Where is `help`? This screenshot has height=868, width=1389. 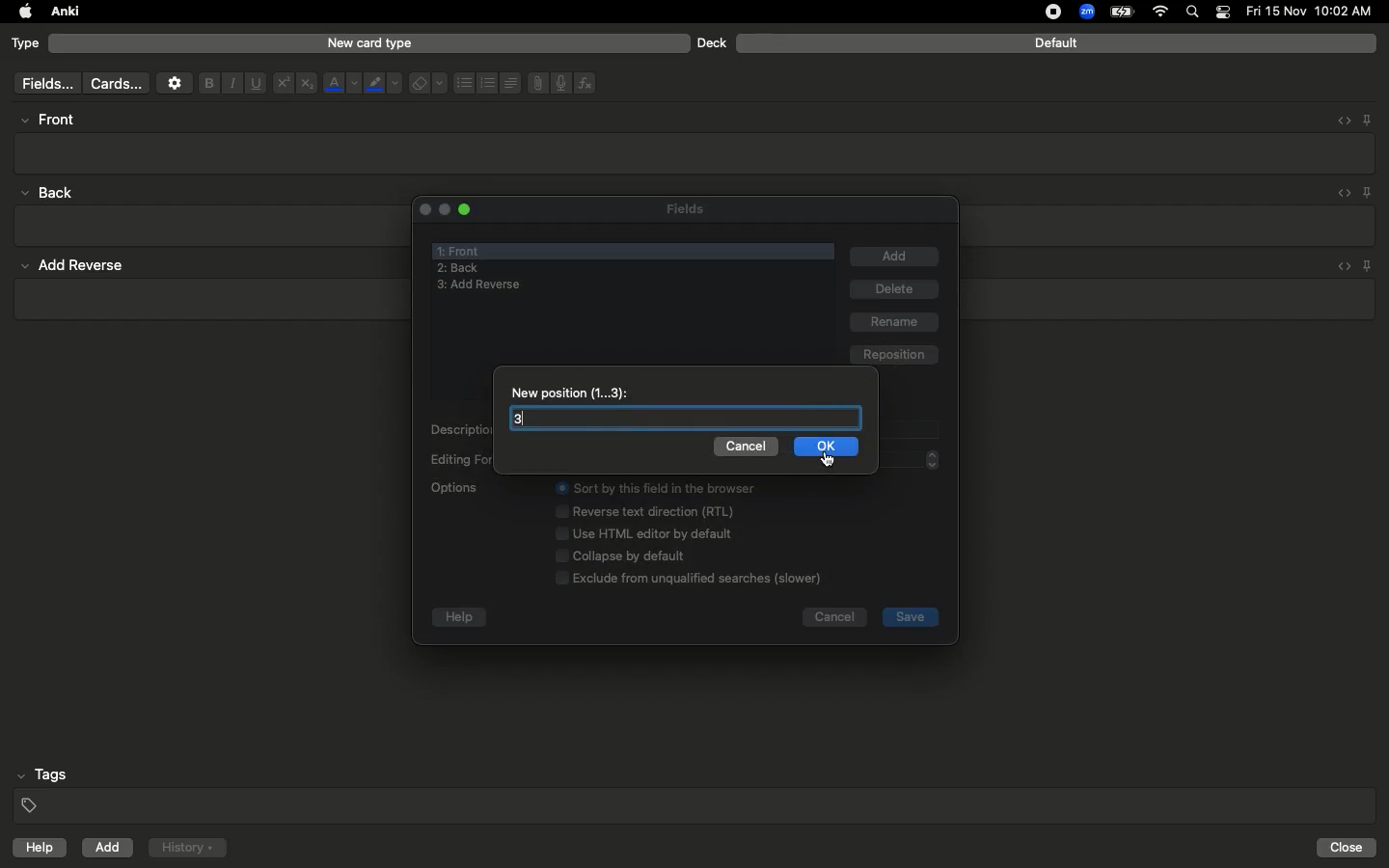 help is located at coordinates (36, 850).